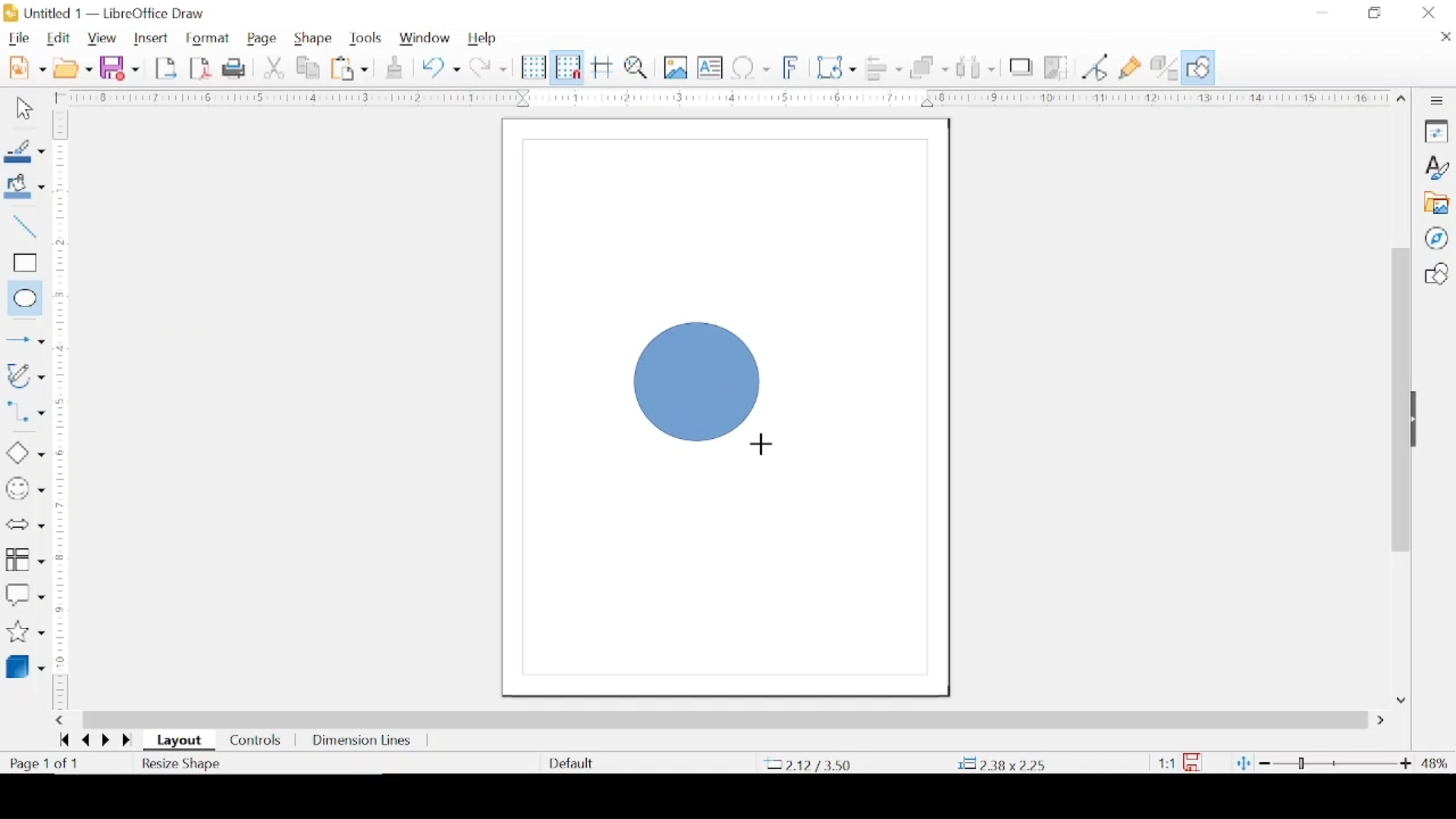 The image size is (1456, 819). I want to click on minimize, so click(1324, 11).